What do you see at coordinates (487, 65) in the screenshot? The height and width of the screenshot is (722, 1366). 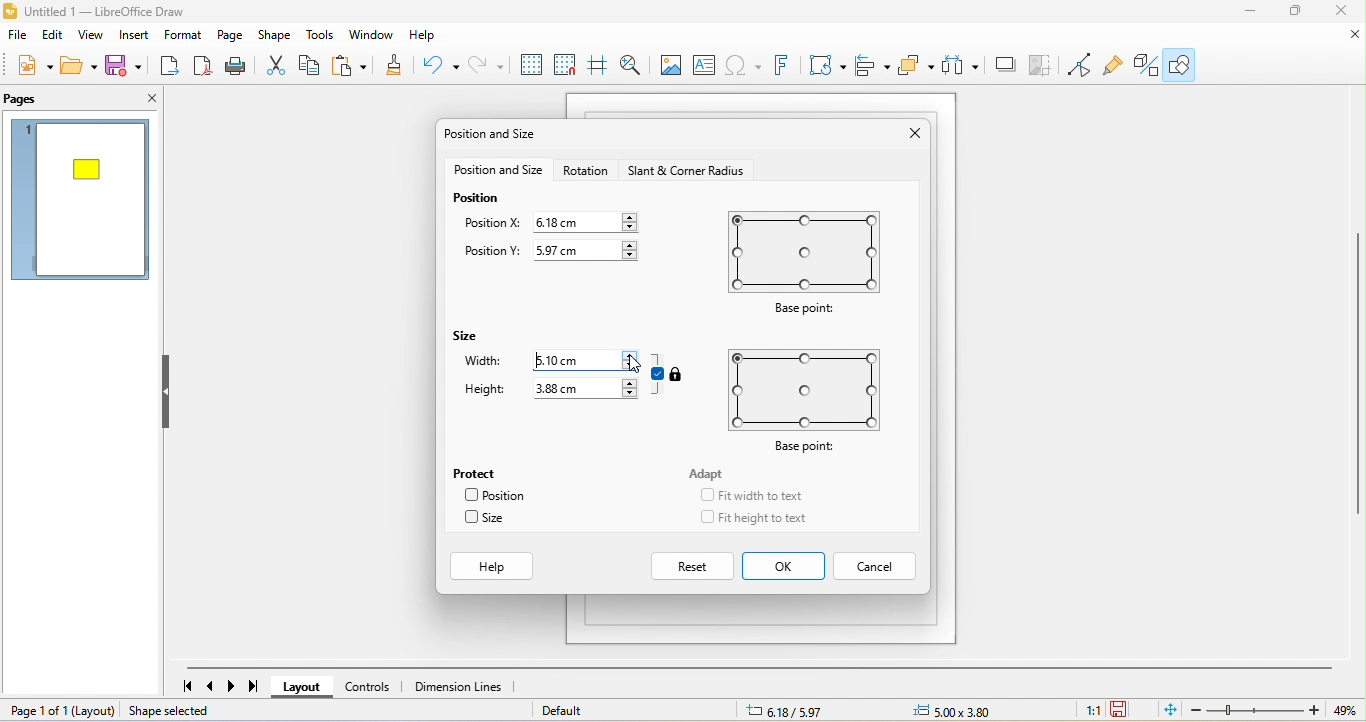 I see `redo` at bounding box center [487, 65].